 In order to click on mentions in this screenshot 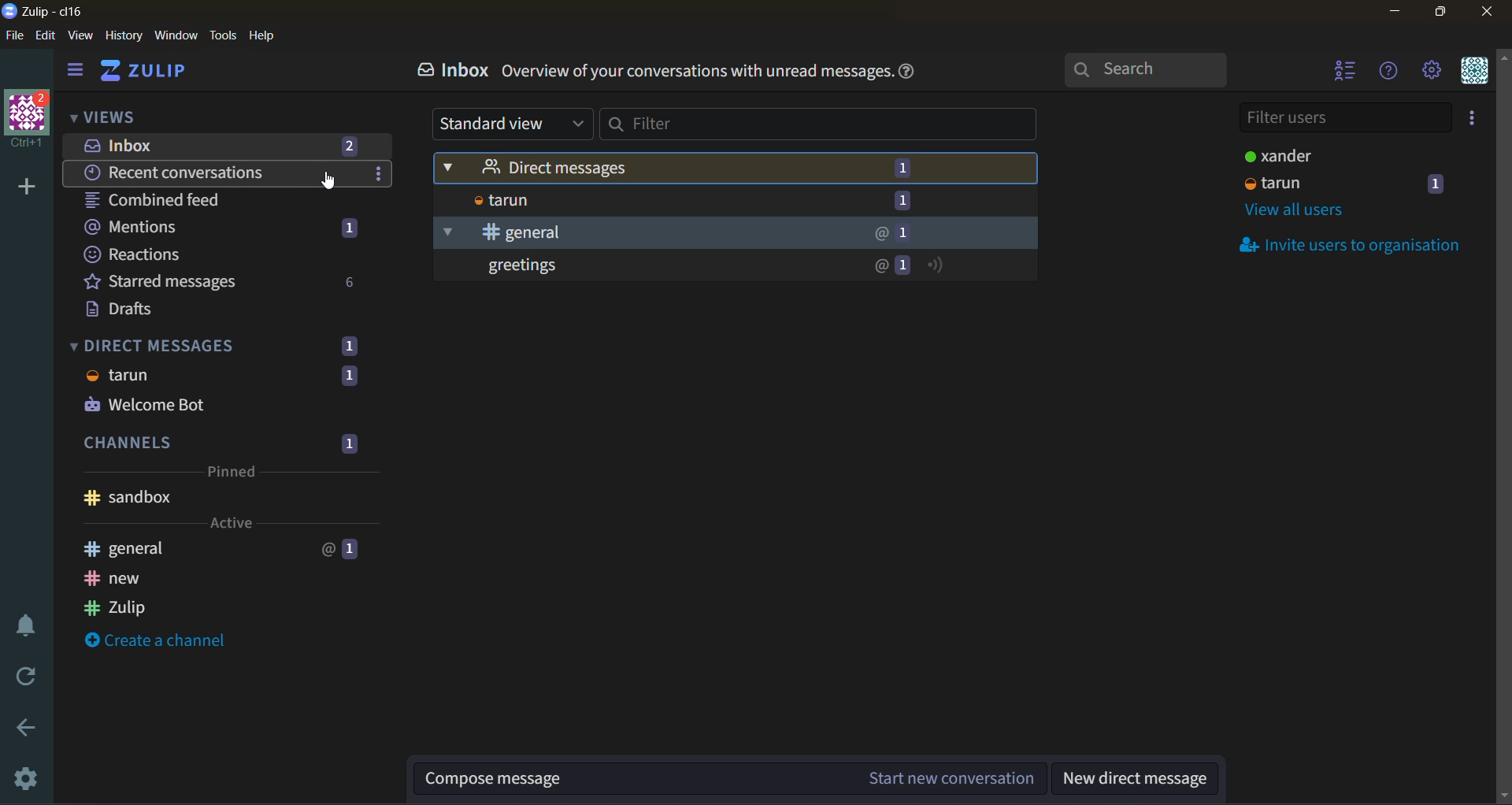, I will do `click(220, 225)`.